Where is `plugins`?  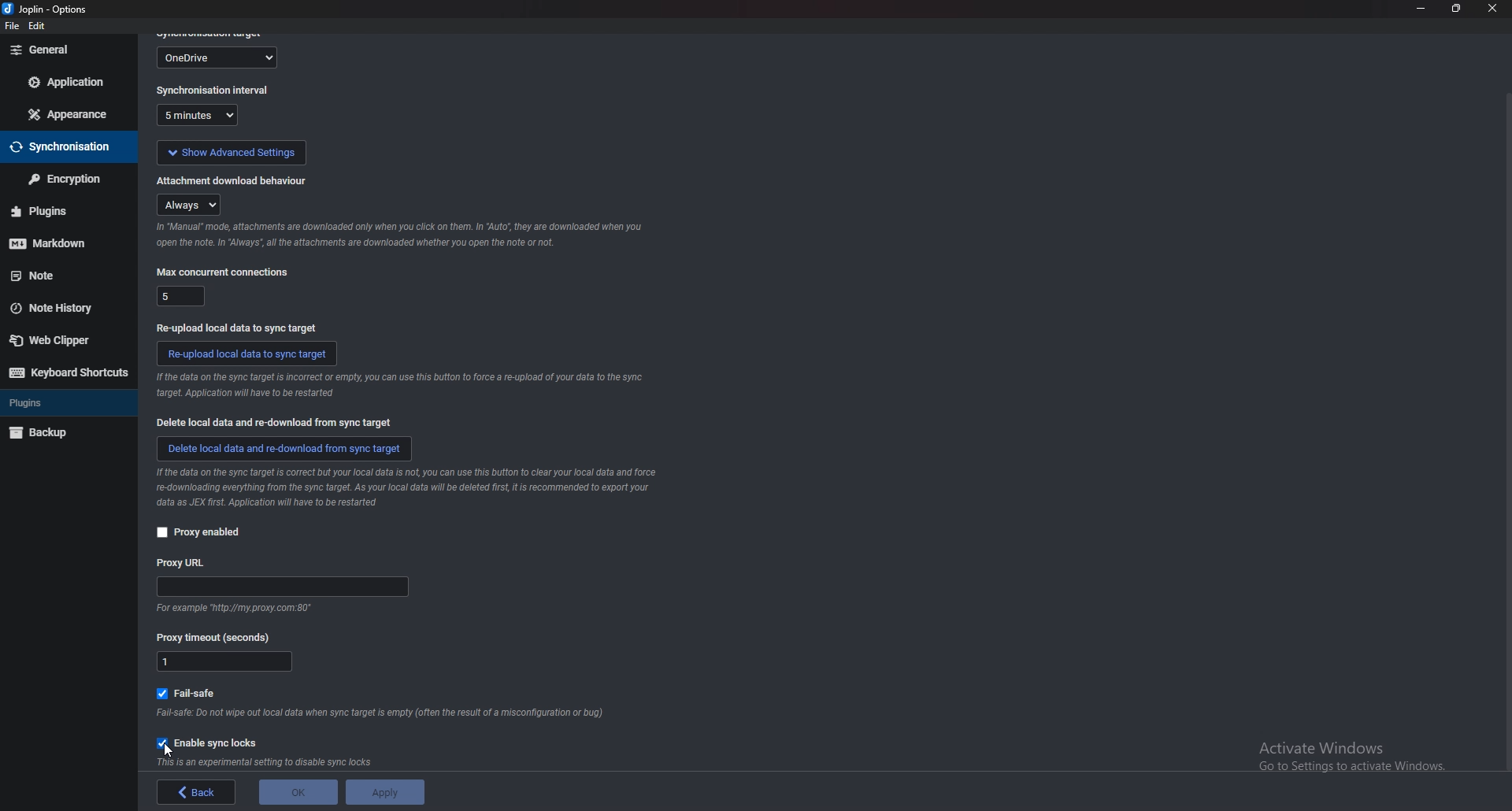
plugins is located at coordinates (61, 405).